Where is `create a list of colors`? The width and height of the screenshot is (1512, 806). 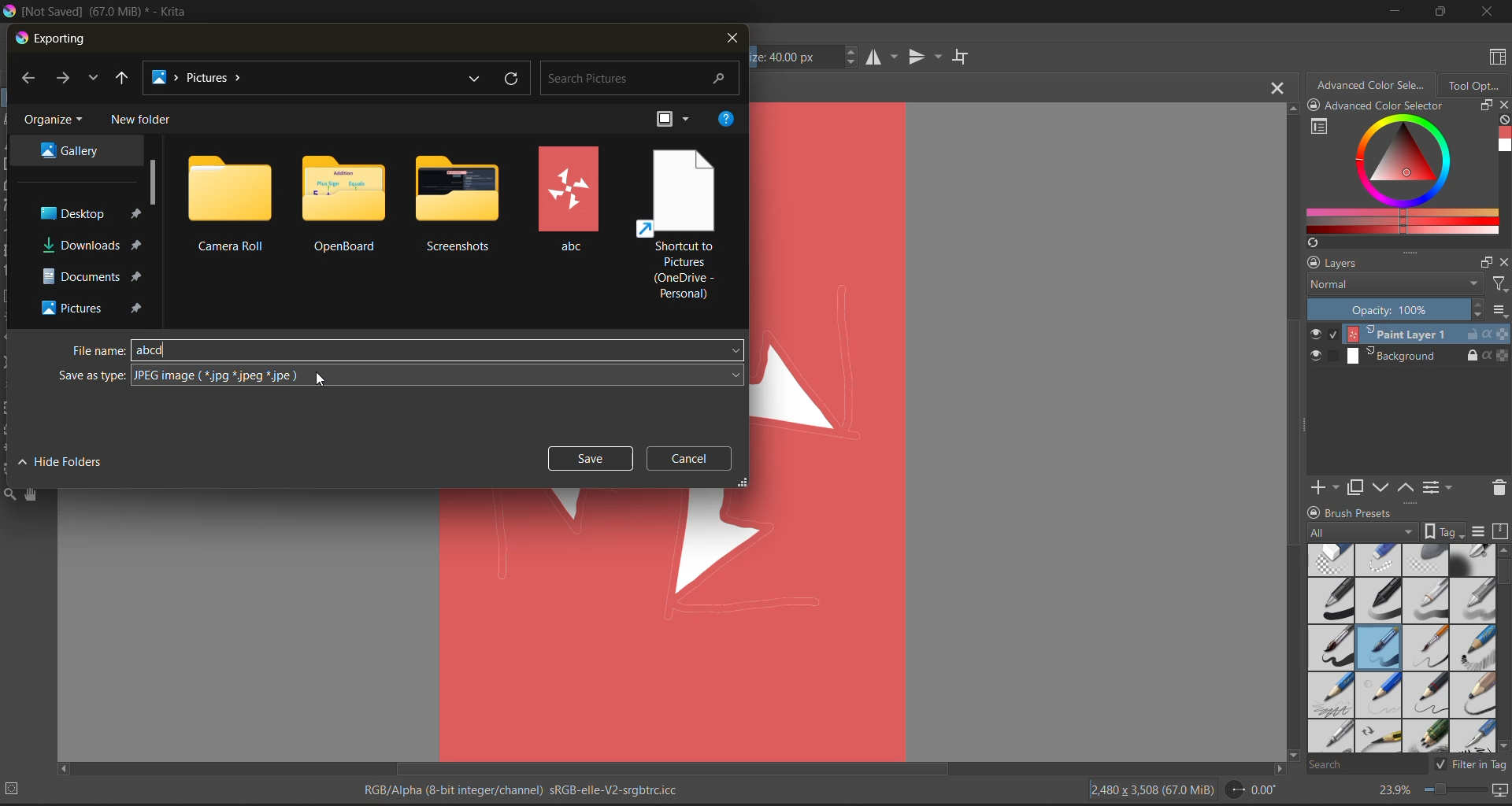
create a list of colors is located at coordinates (1313, 244).